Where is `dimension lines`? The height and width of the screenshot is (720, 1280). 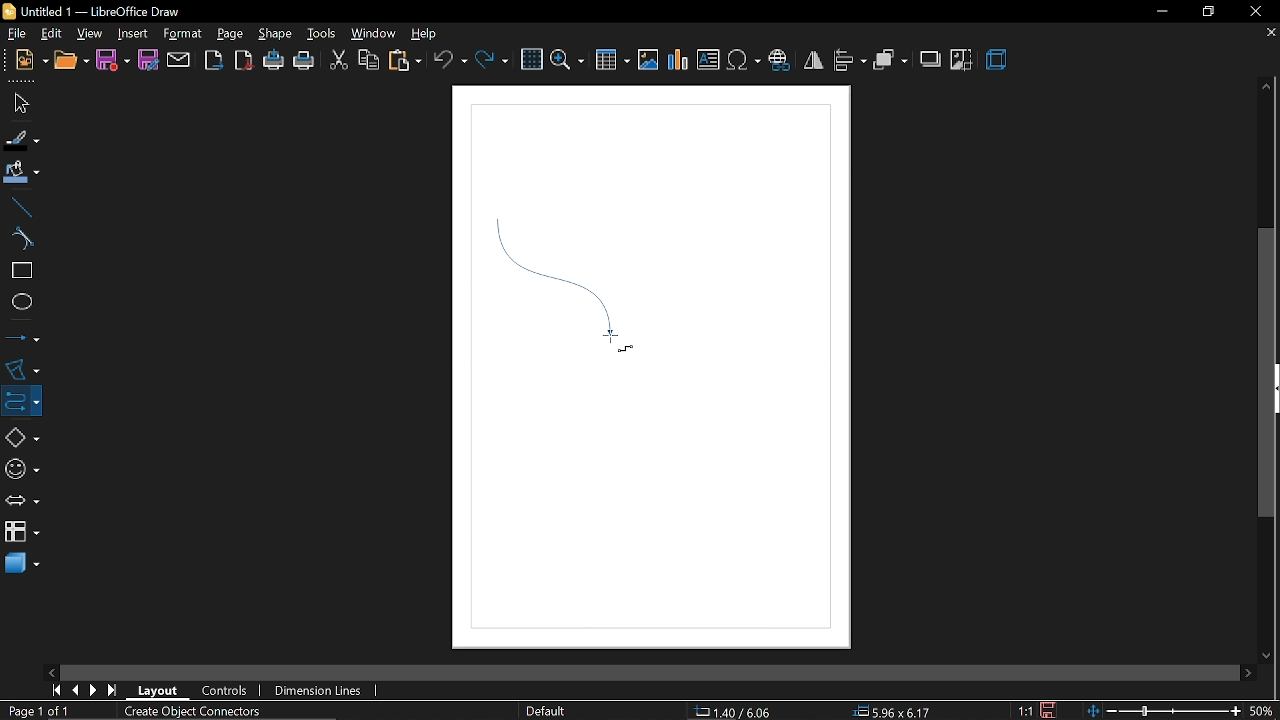 dimension lines is located at coordinates (321, 691).